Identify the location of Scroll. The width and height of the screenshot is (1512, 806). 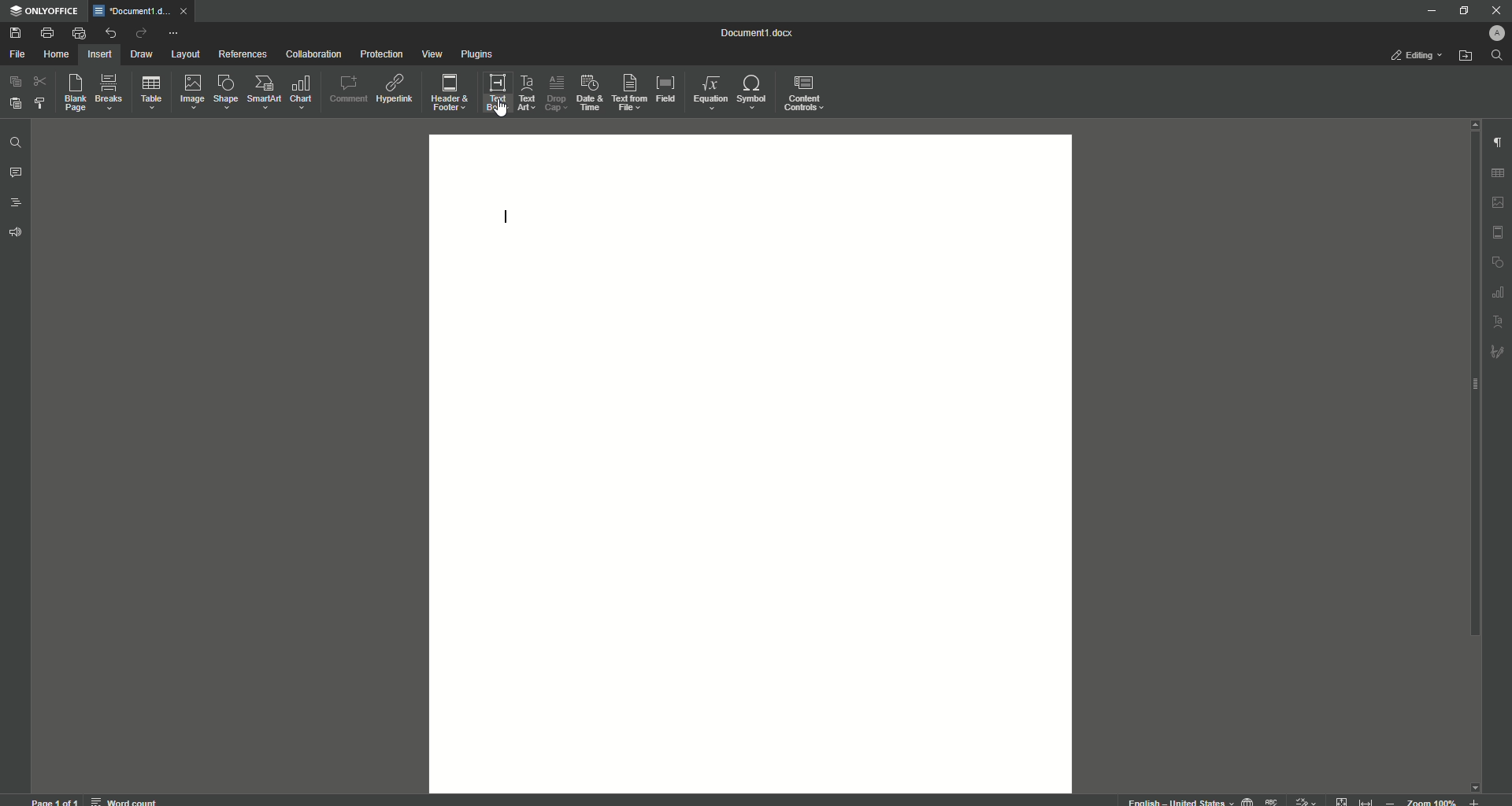
(1470, 394).